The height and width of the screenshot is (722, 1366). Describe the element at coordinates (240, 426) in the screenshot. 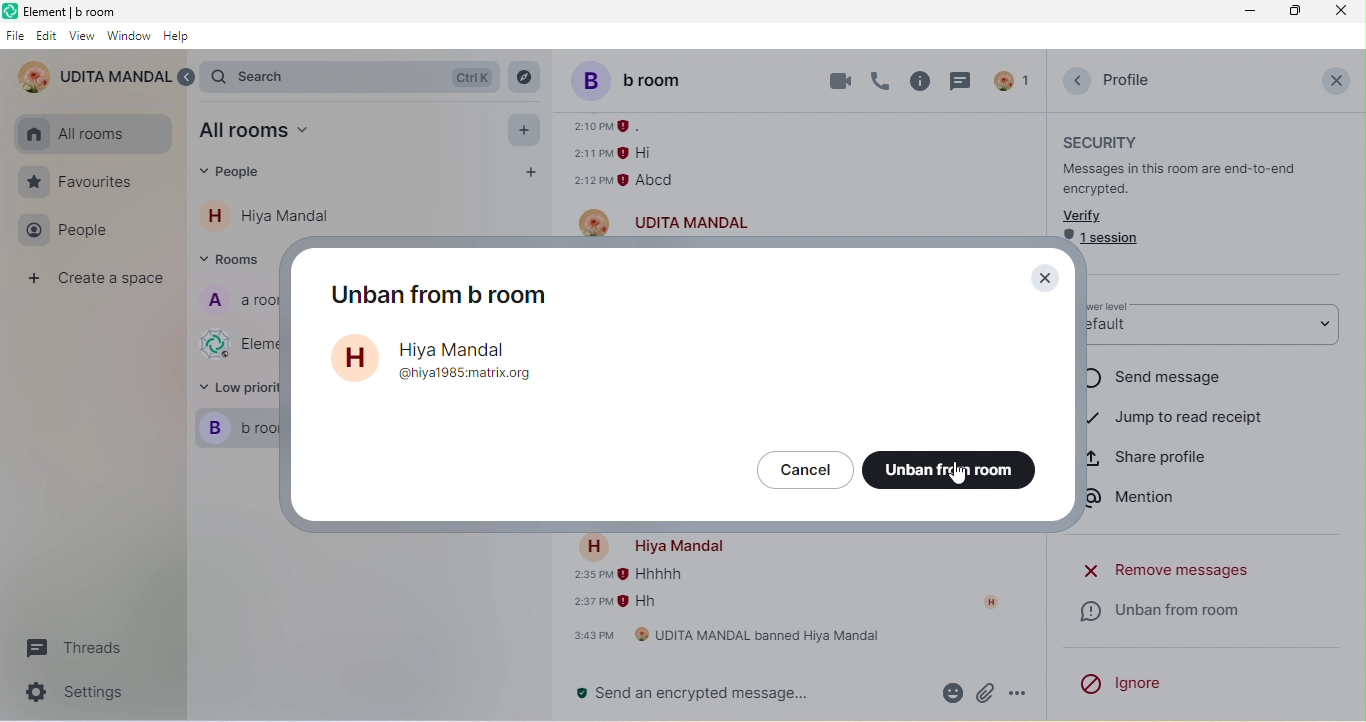

I see `b room` at that location.